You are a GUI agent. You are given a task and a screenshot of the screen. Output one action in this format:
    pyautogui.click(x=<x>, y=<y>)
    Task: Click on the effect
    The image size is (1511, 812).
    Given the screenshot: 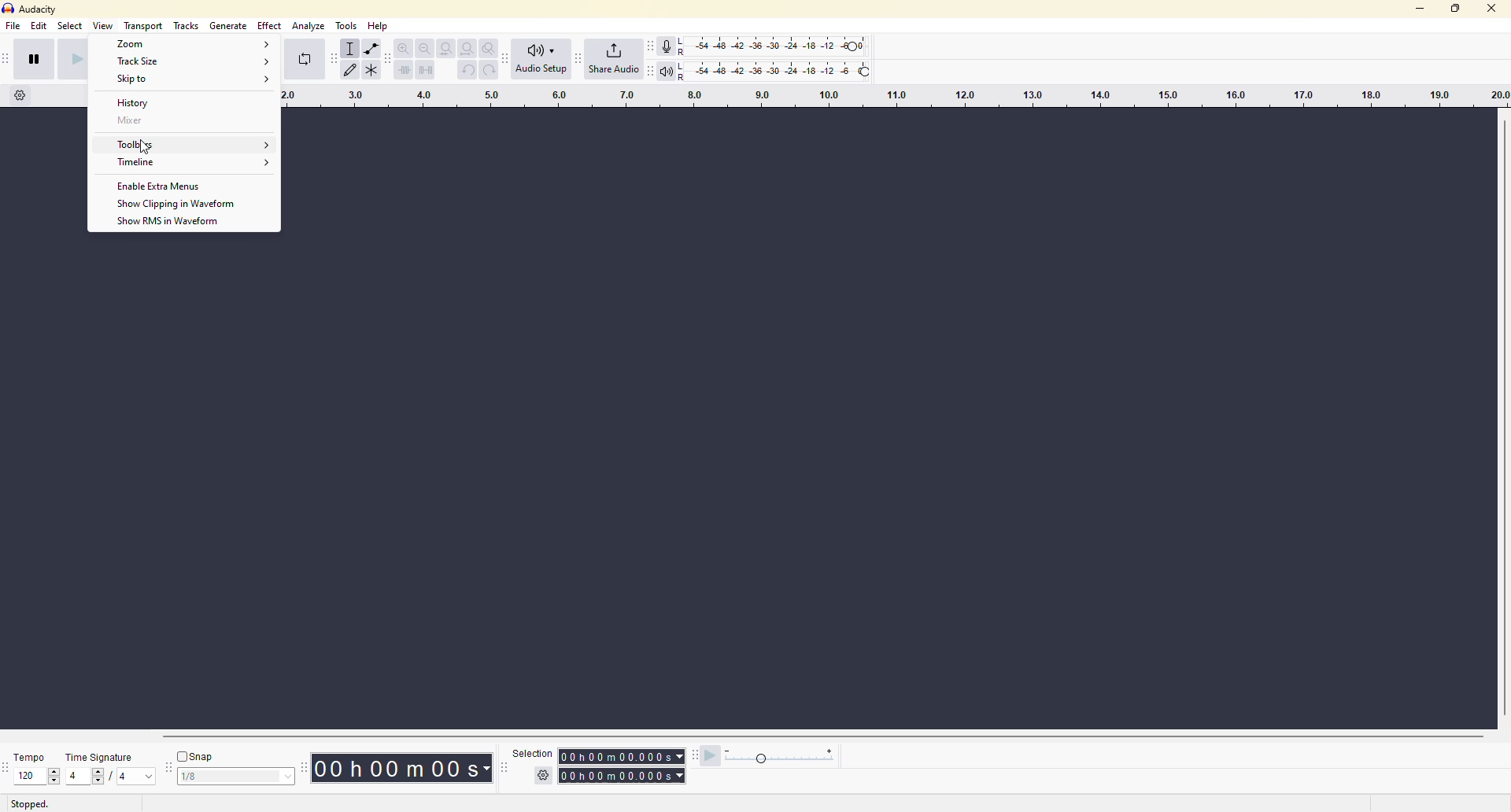 What is the action you would take?
    pyautogui.click(x=270, y=25)
    